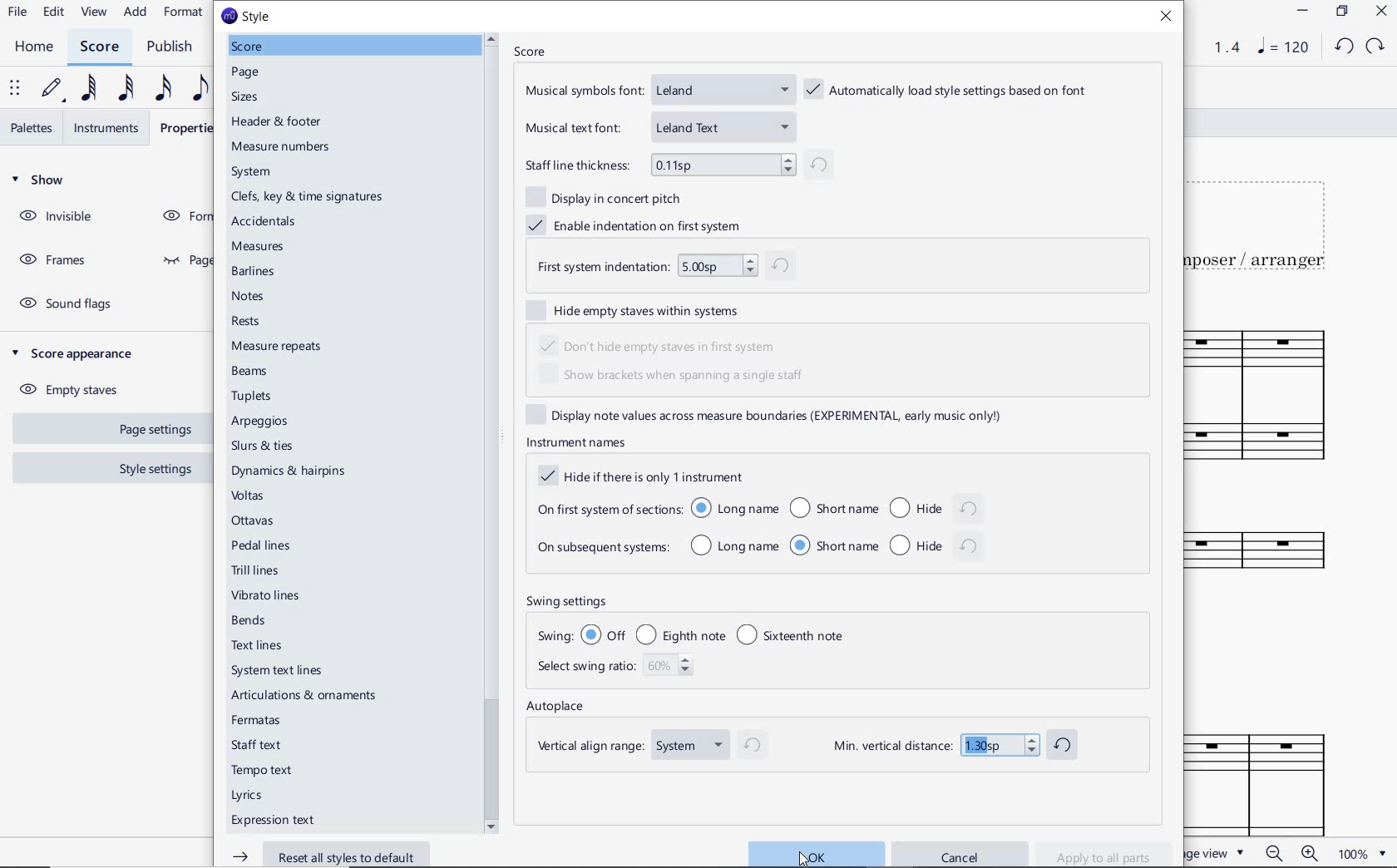  What do you see at coordinates (264, 422) in the screenshot?
I see `arpeggios` at bounding box center [264, 422].